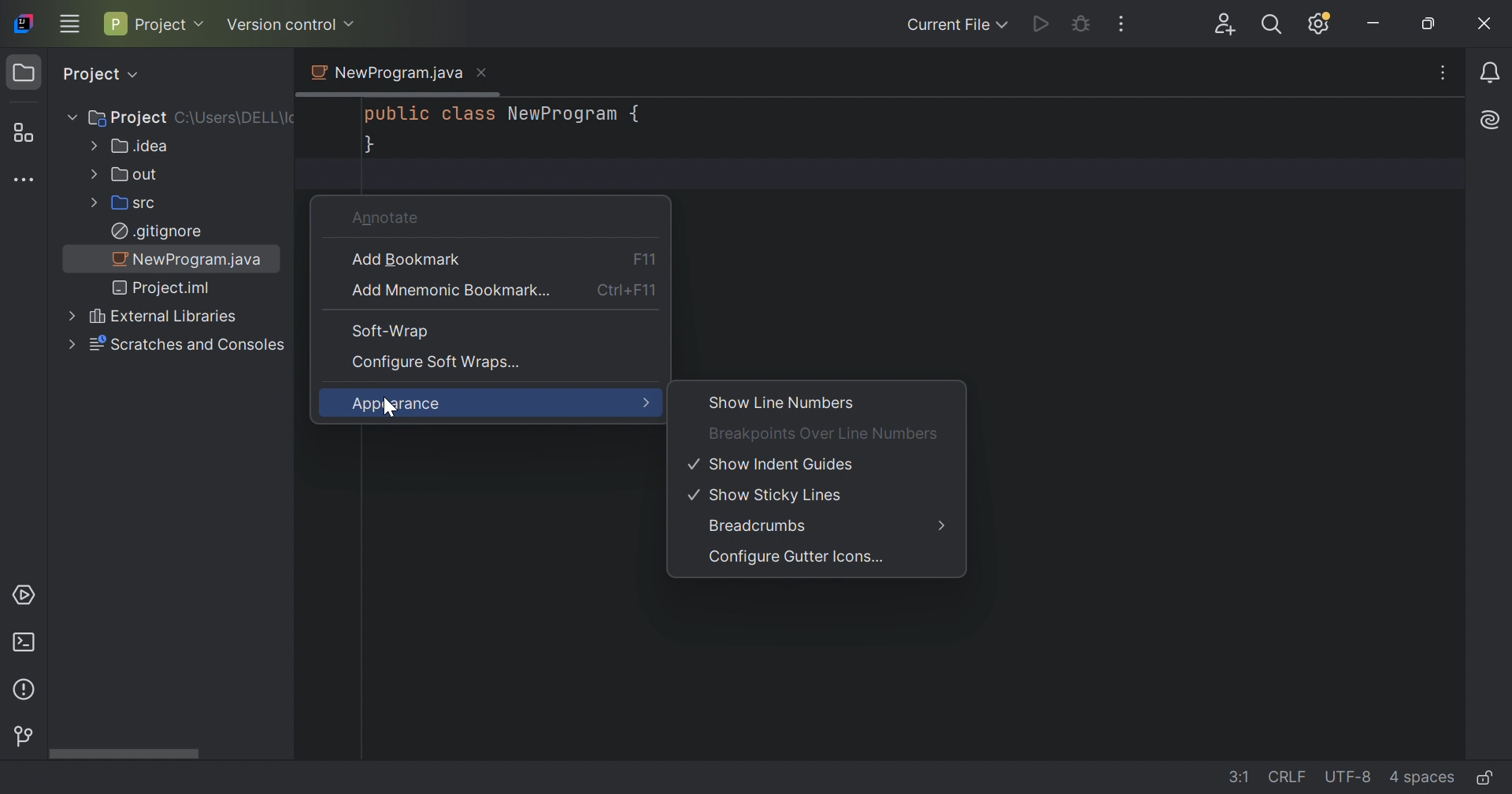 Image resolution: width=1512 pixels, height=794 pixels. Describe the element at coordinates (387, 331) in the screenshot. I see `Soft-Wrap` at that location.